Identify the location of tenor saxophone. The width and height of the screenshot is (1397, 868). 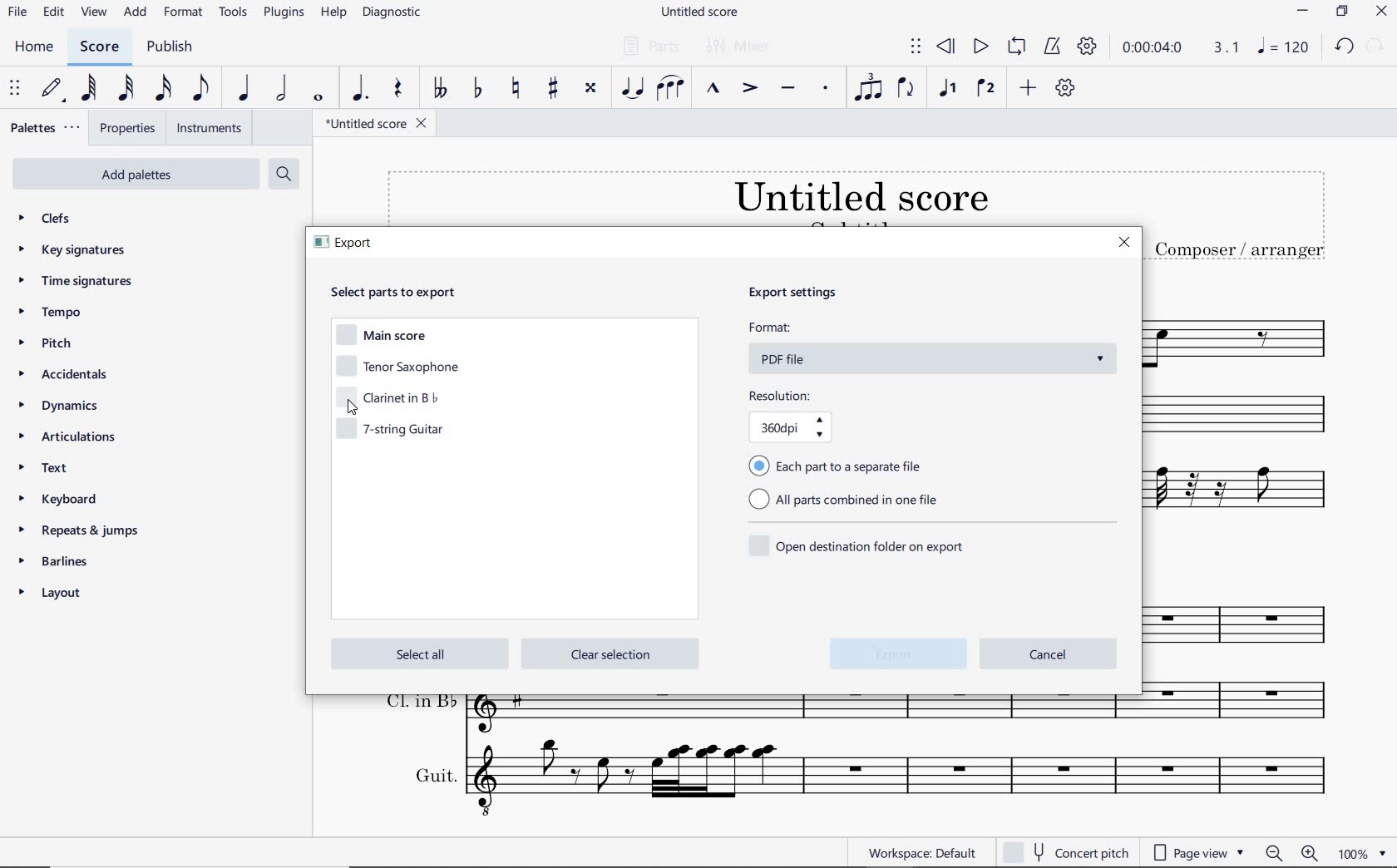
(397, 368).